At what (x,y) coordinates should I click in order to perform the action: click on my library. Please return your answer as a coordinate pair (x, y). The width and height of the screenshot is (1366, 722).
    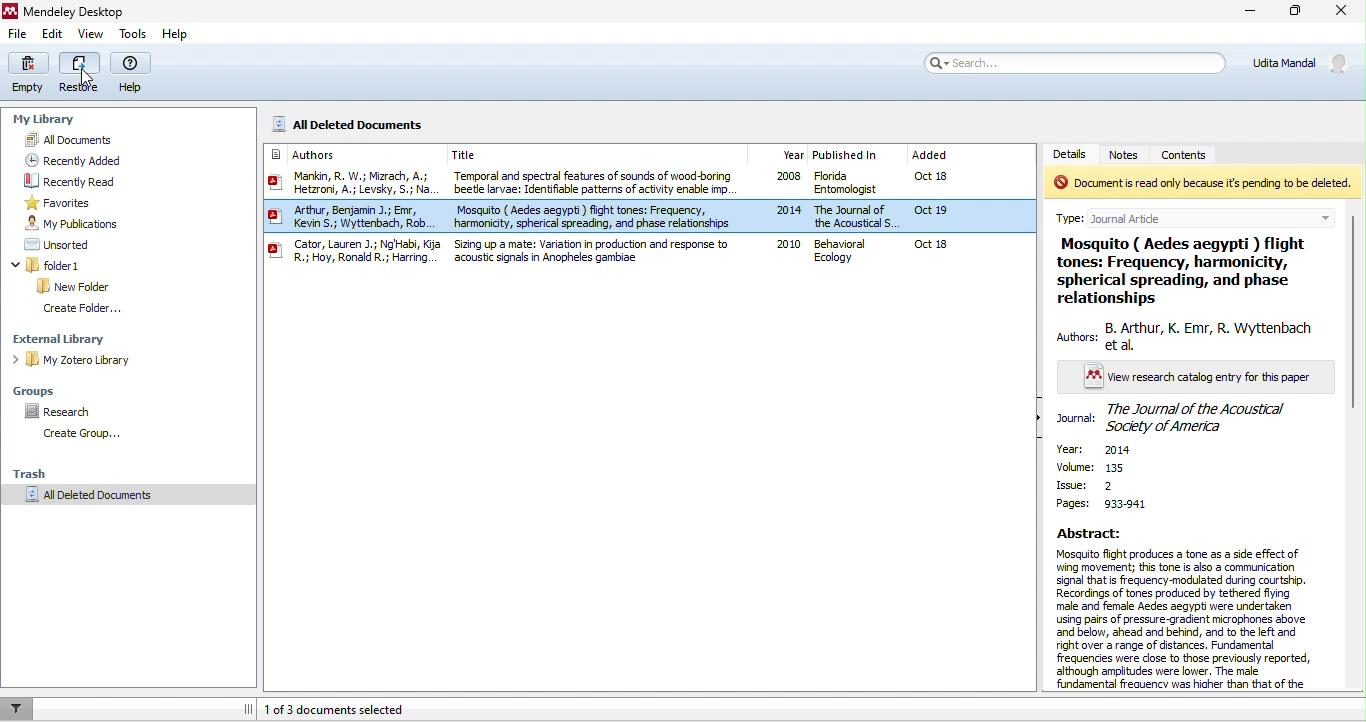
    Looking at the image, I should click on (48, 121).